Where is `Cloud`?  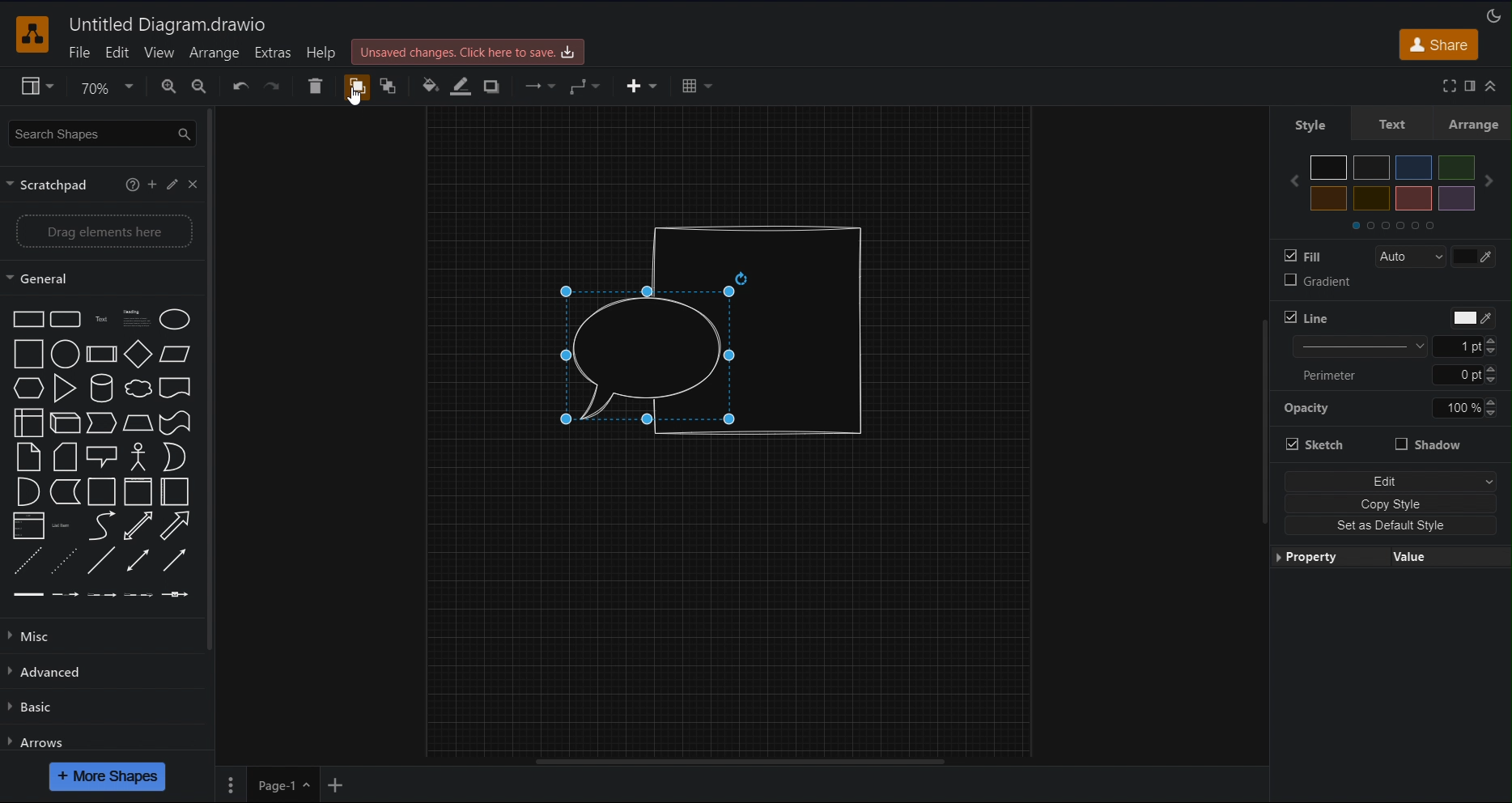 Cloud is located at coordinates (138, 389).